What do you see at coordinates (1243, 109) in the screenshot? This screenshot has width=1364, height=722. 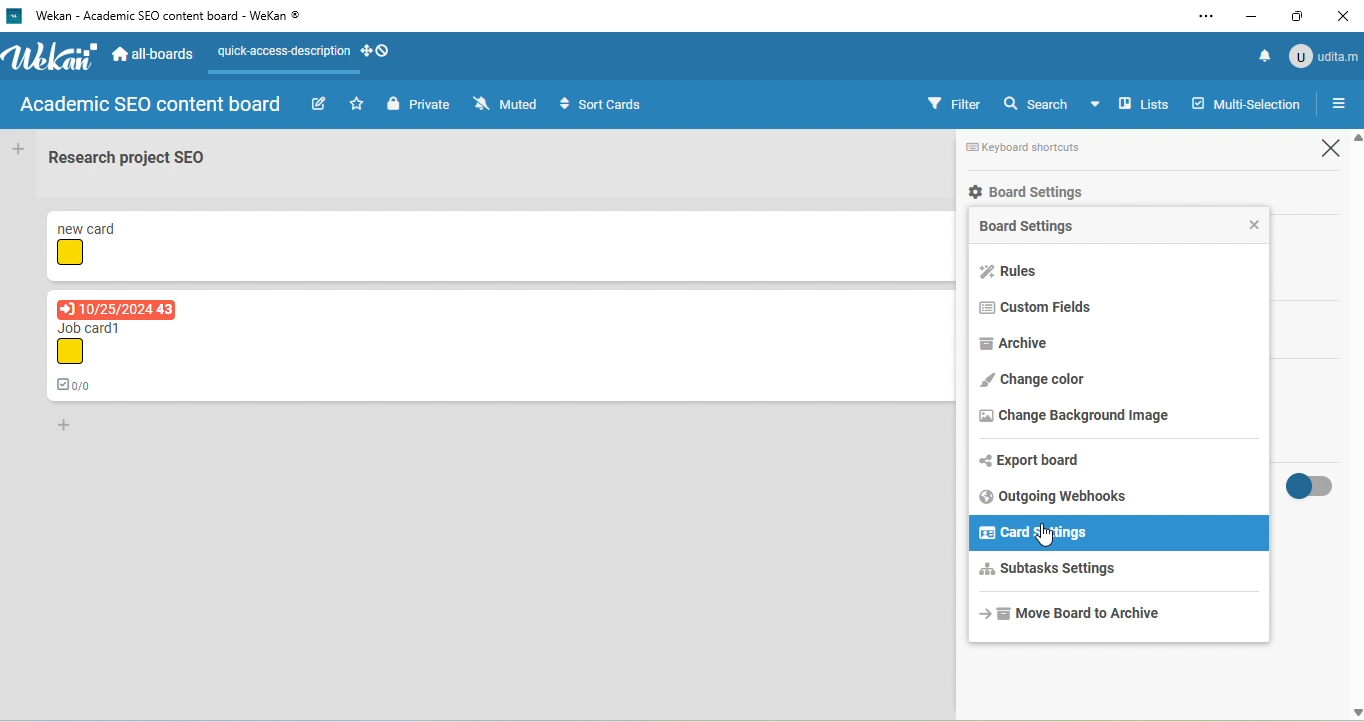 I see `multi selection` at bounding box center [1243, 109].